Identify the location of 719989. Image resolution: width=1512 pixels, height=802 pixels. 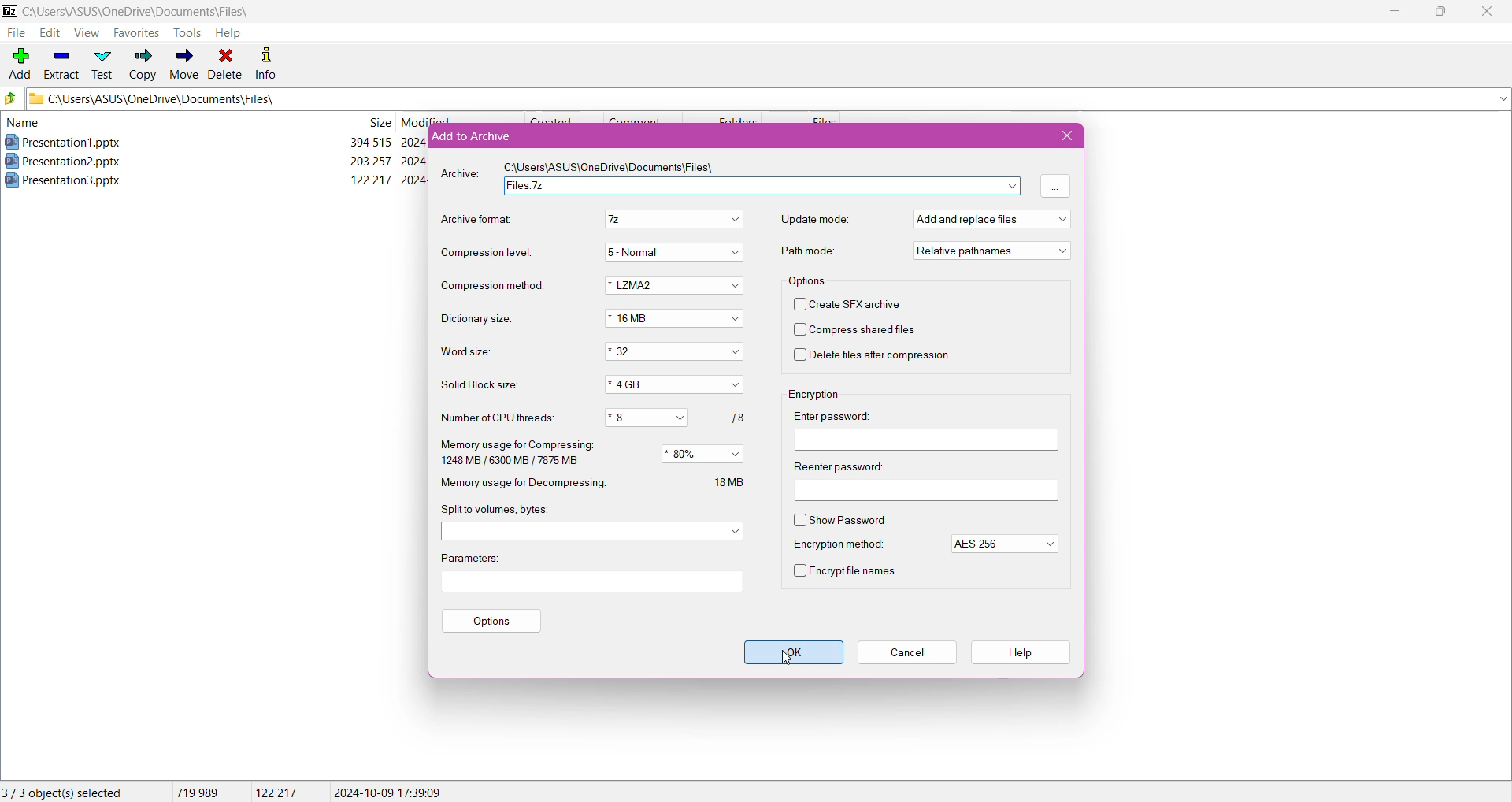
(195, 792).